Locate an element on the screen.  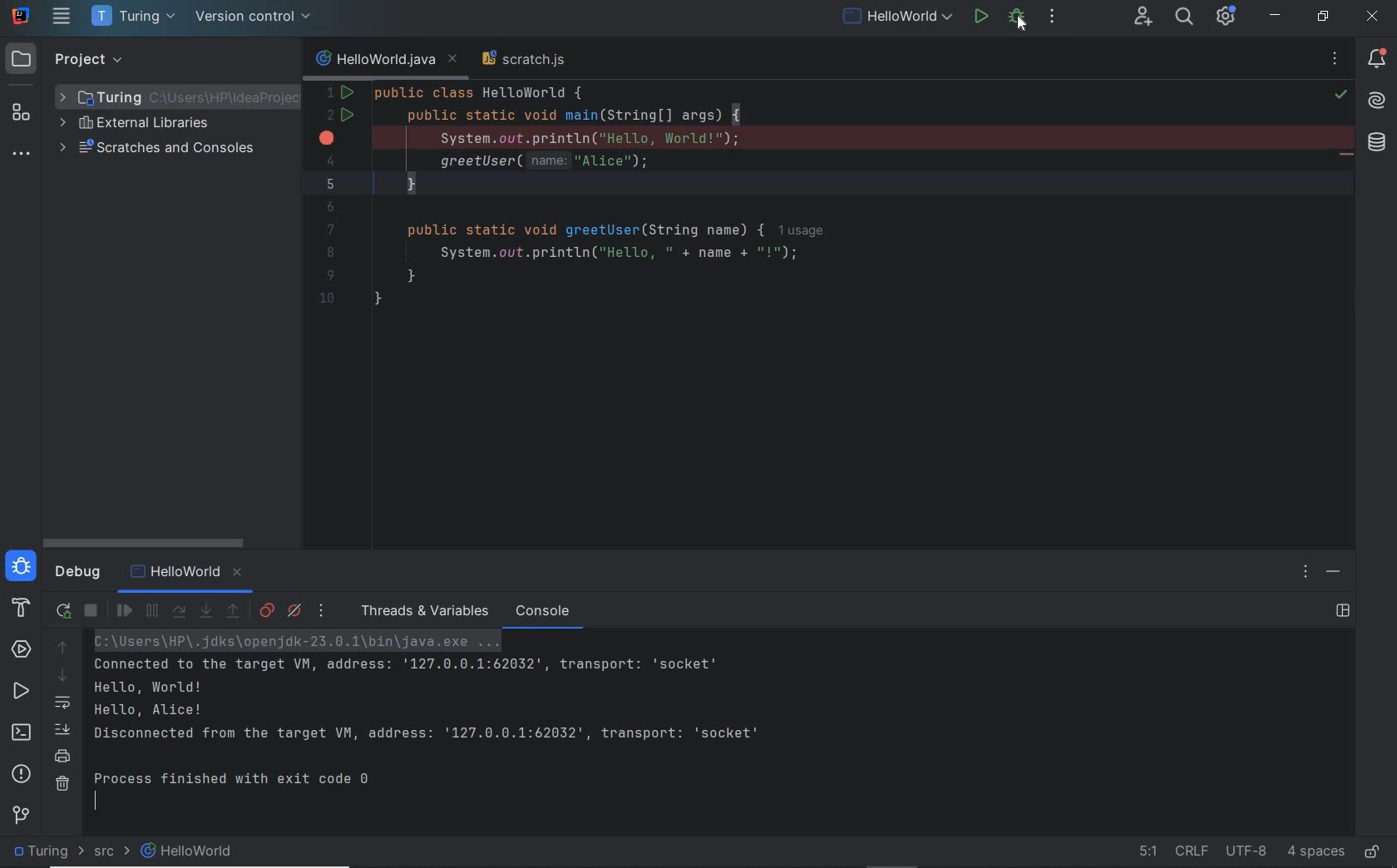
scratch file is located at coordinates (528, 62).